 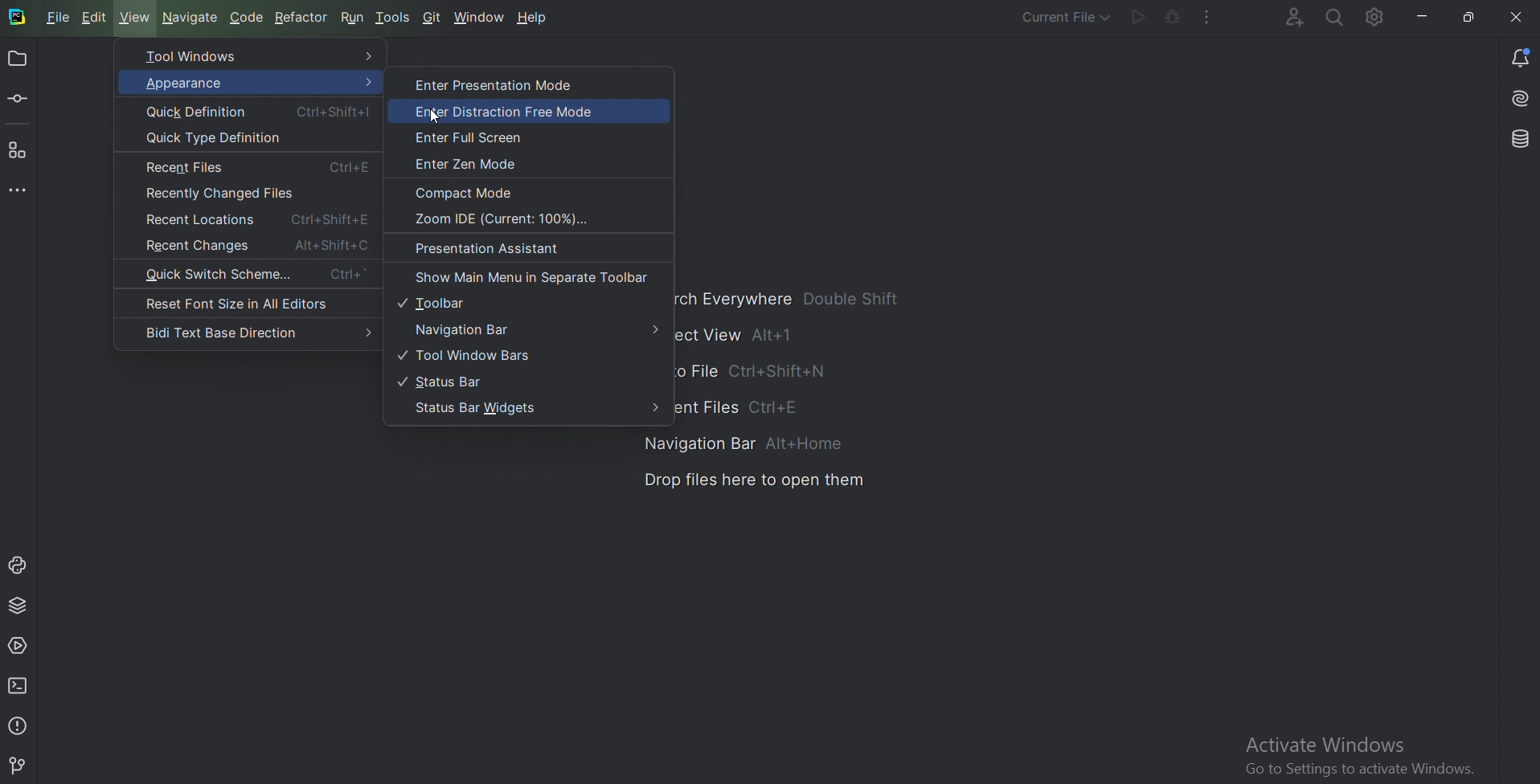 I want to click on File, so click(x=56, y=17).